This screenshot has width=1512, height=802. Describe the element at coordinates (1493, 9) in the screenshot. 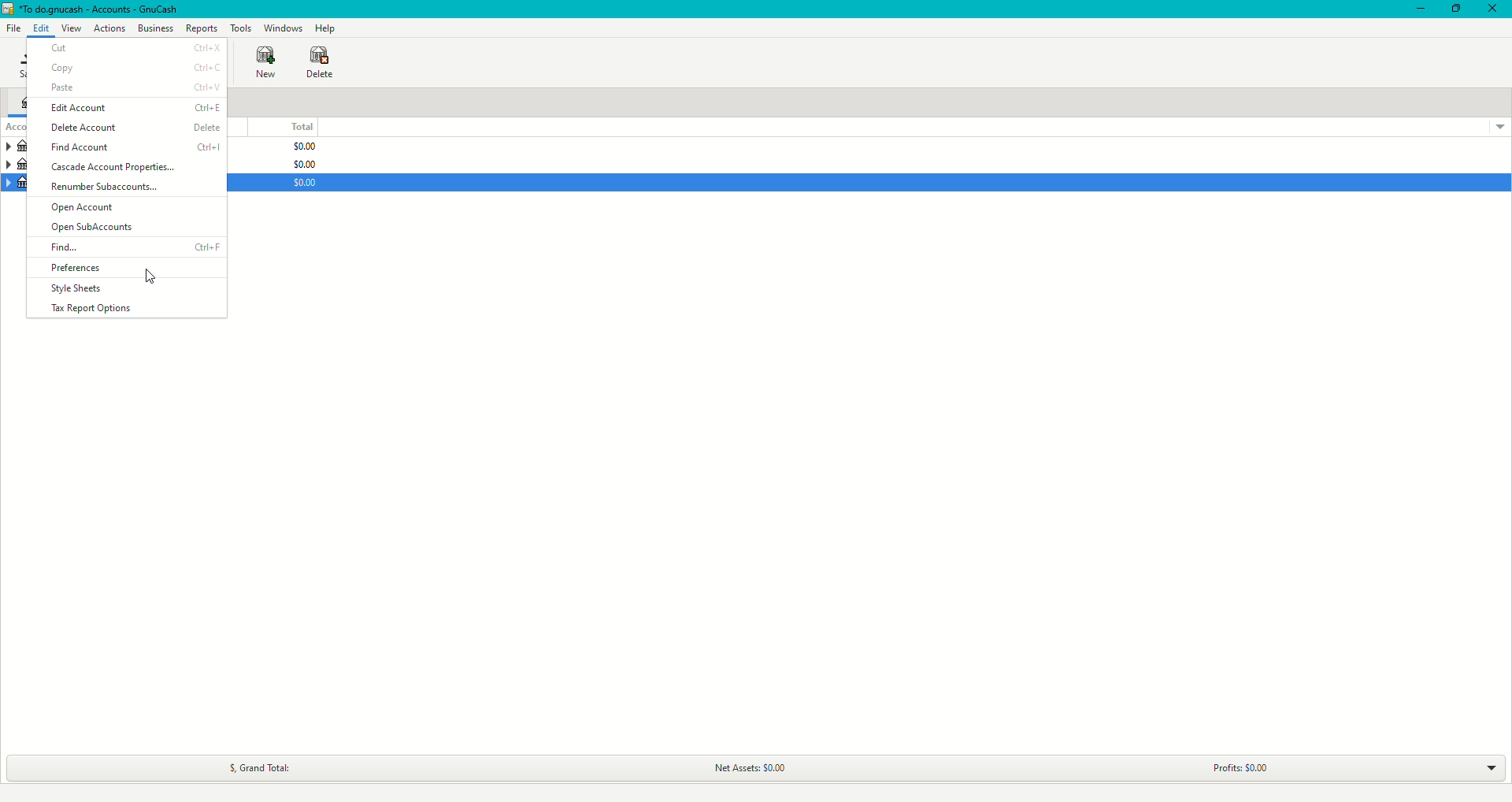

I see `Close` at that location.